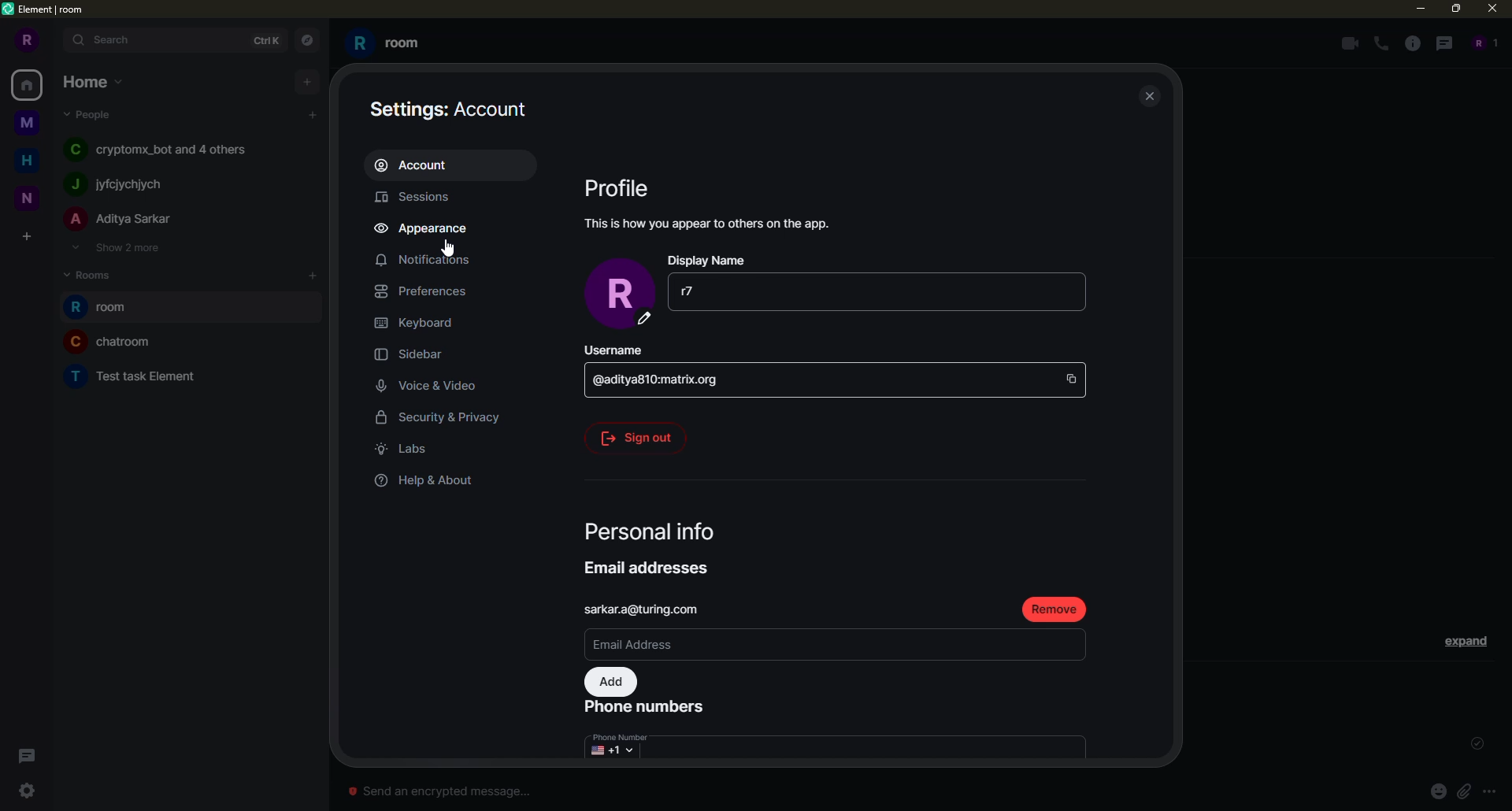 The width and height of the screenshot is (1512, 811). I want to click on copy, so click(1073, 380).